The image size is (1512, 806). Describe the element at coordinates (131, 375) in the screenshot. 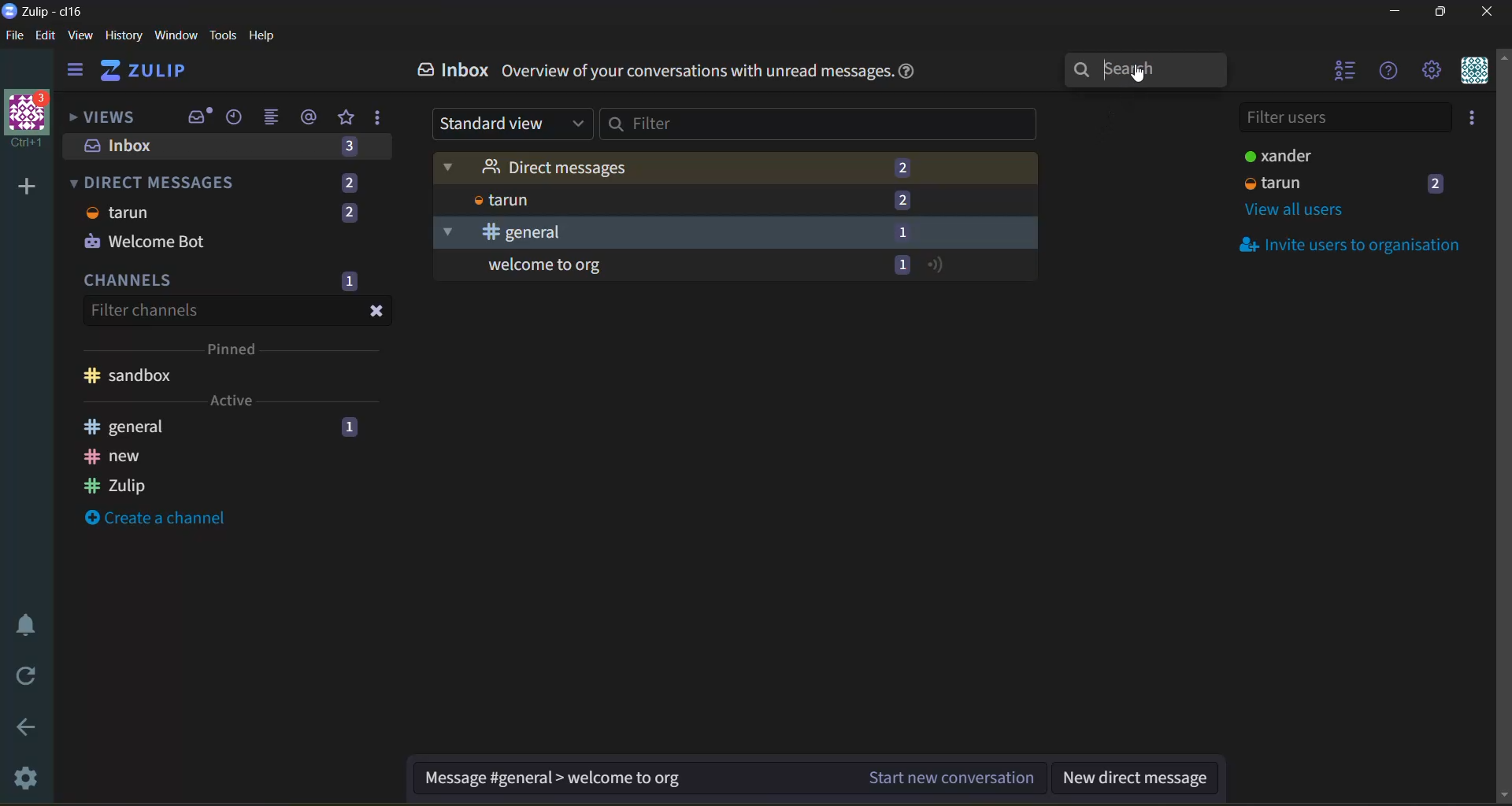

I see `# sandbox` at that location.